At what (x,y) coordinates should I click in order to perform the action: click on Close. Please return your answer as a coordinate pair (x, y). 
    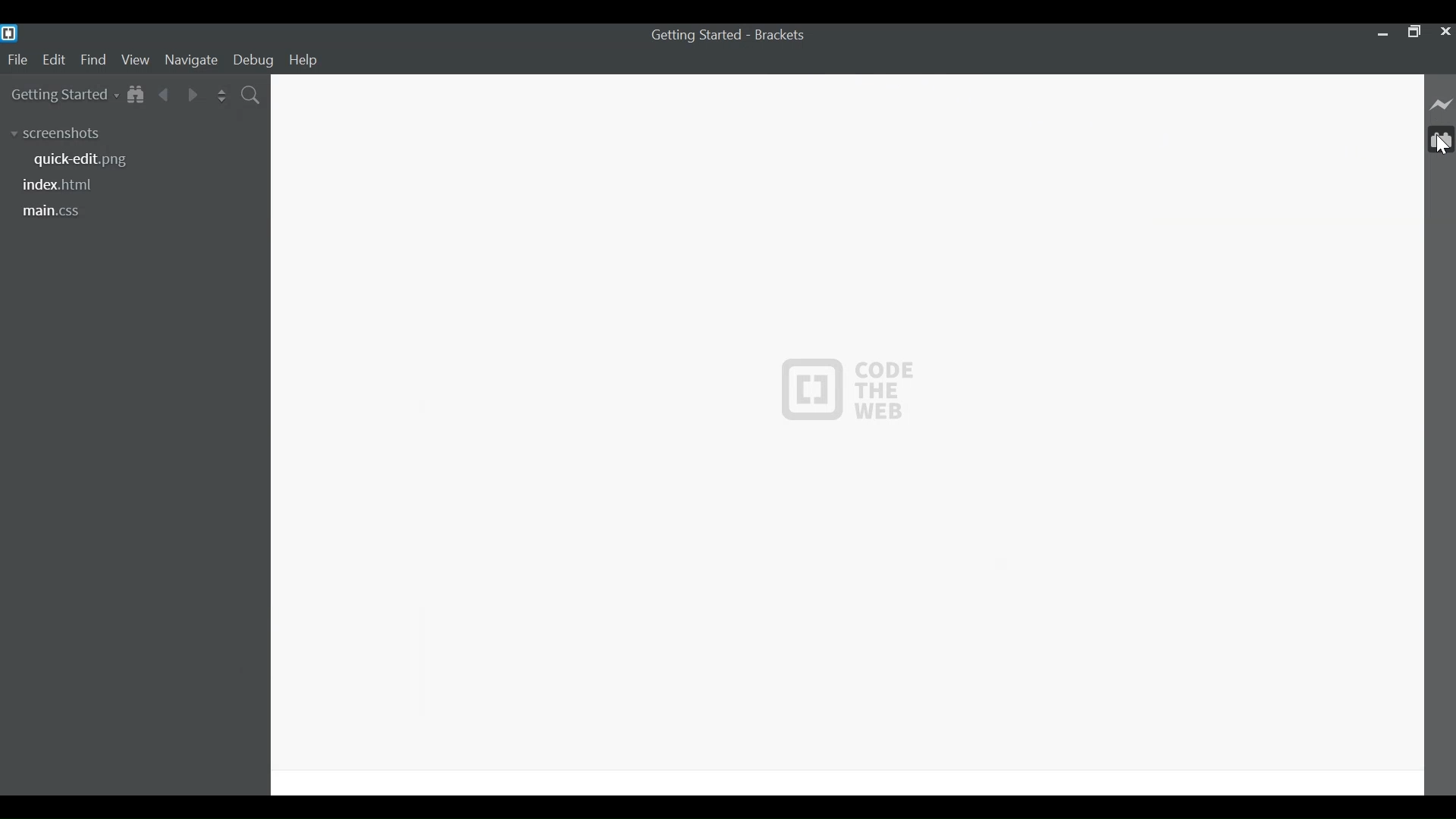
    Looking at the image, I should click on (1445, 32).